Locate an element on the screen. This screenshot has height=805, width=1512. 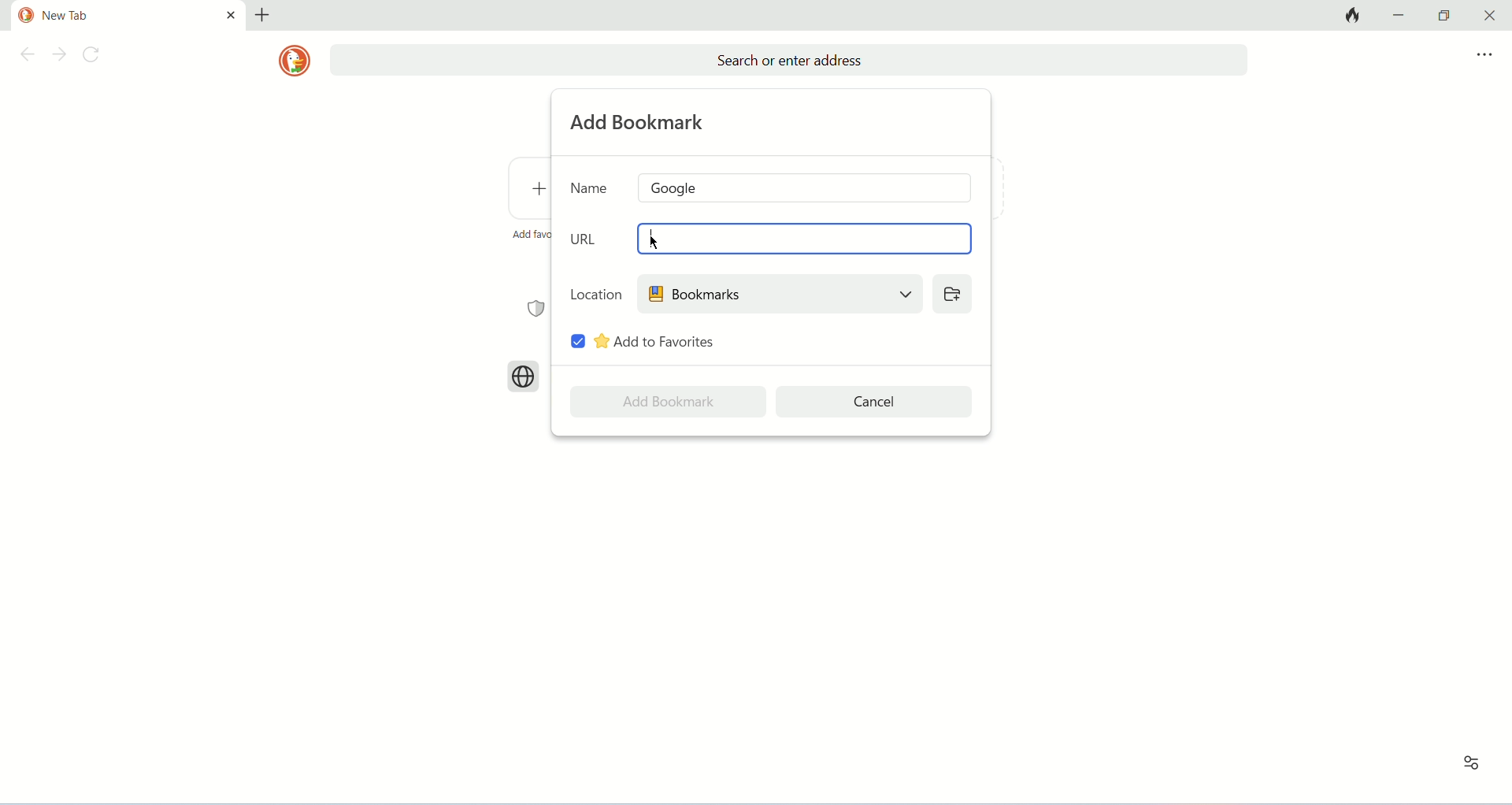
view option is located at coordinates (1472, 763).